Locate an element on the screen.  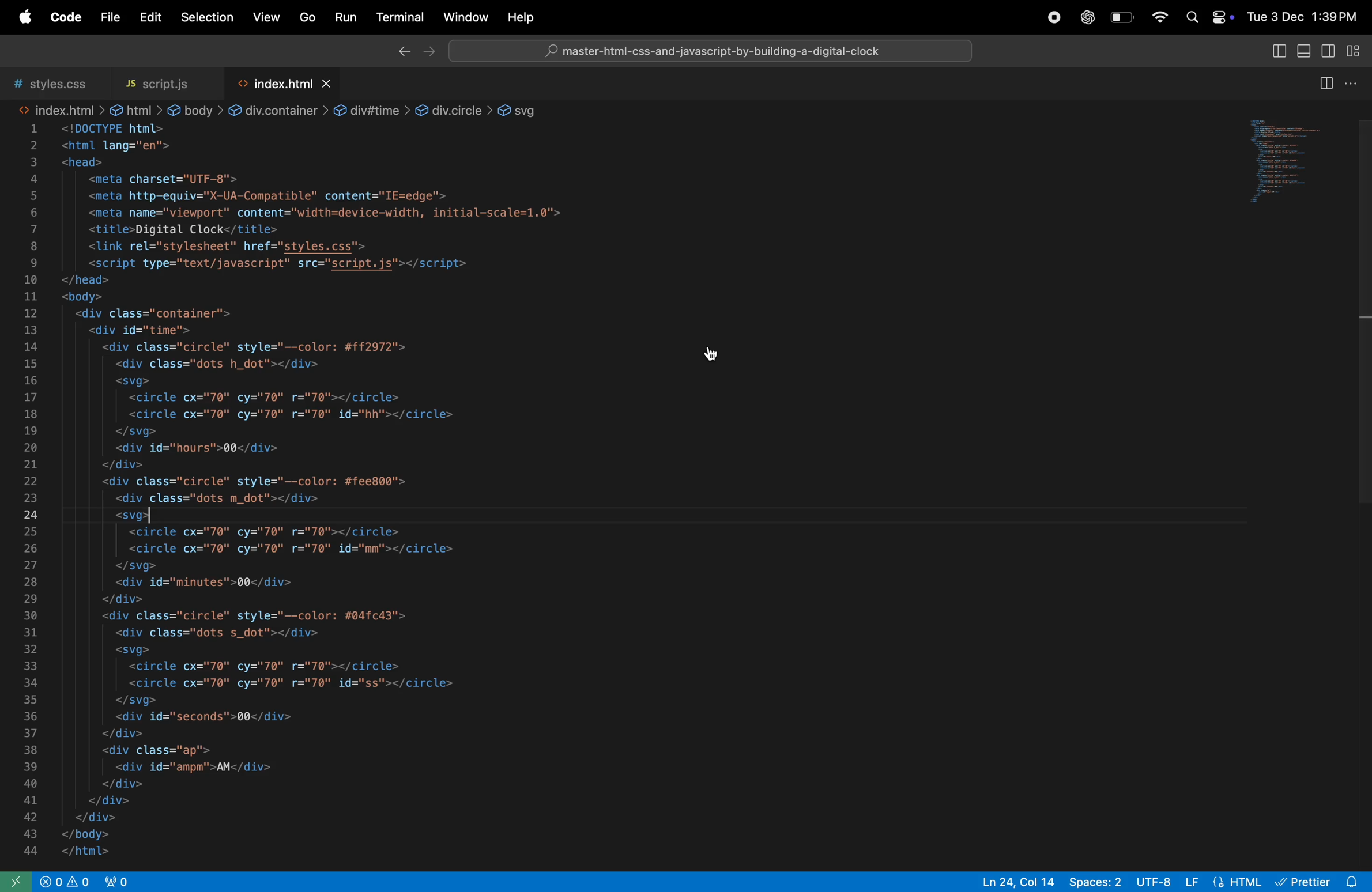
file is located at coordinates (107, 18).